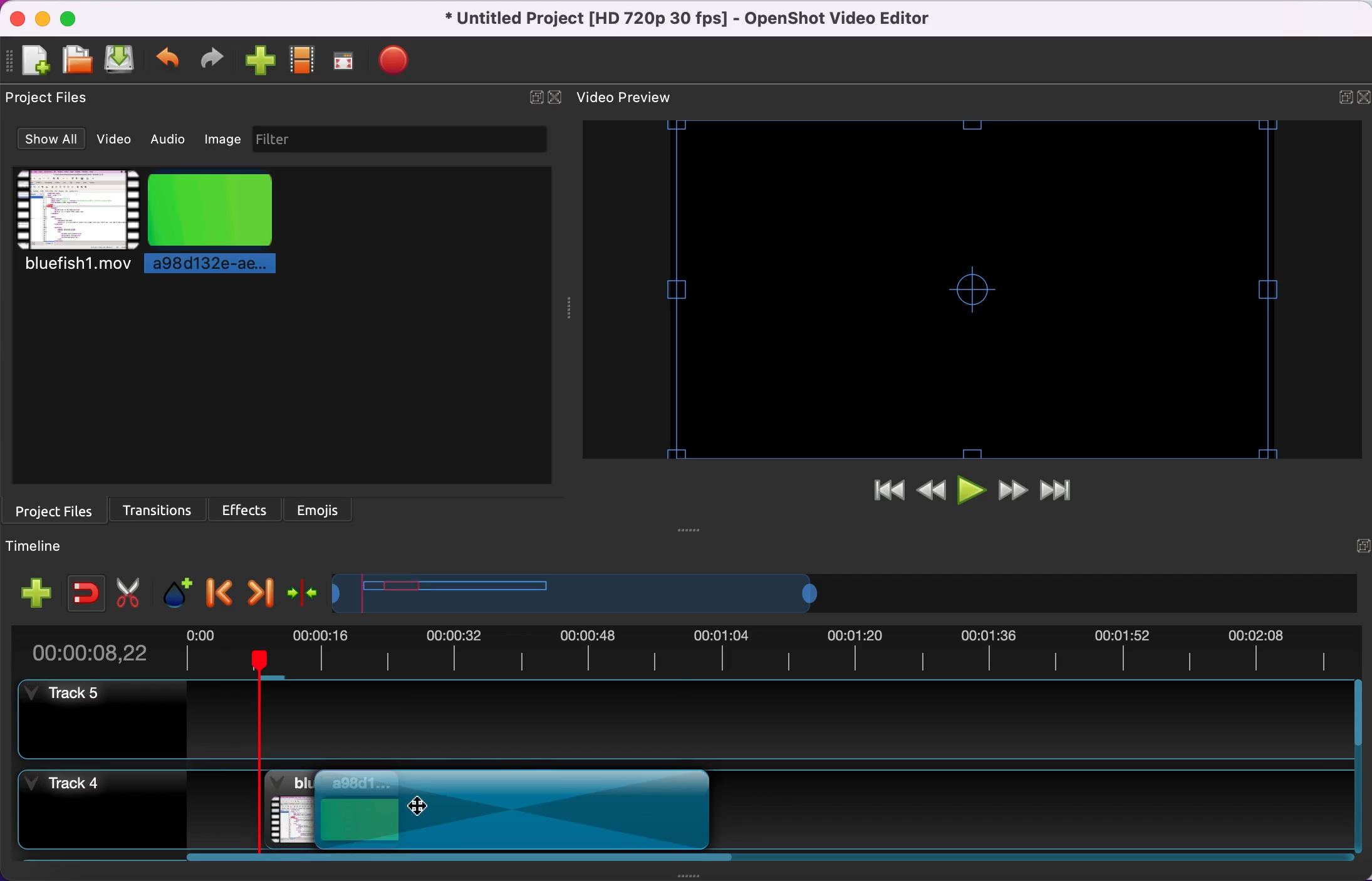 The height and width of the screenshot is (881, 1372). Describe the element at coordinates (49, 139) in the screenshot. I see `show all` at that location.